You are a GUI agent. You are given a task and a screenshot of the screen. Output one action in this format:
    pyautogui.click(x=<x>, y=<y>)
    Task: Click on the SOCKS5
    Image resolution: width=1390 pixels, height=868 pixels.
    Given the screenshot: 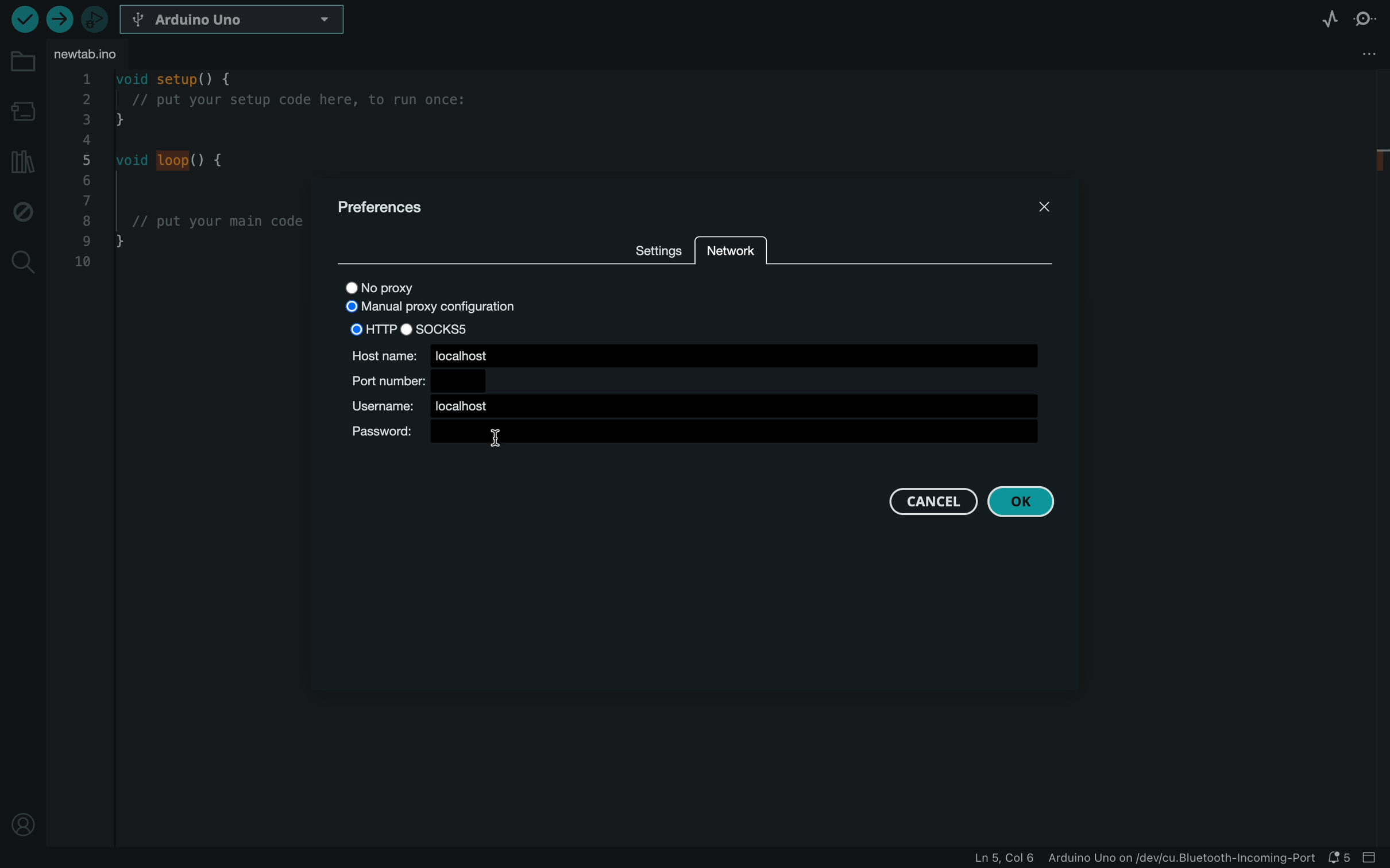 What is the action you would take?
    pyautogui.click(x=438, y=328)
    